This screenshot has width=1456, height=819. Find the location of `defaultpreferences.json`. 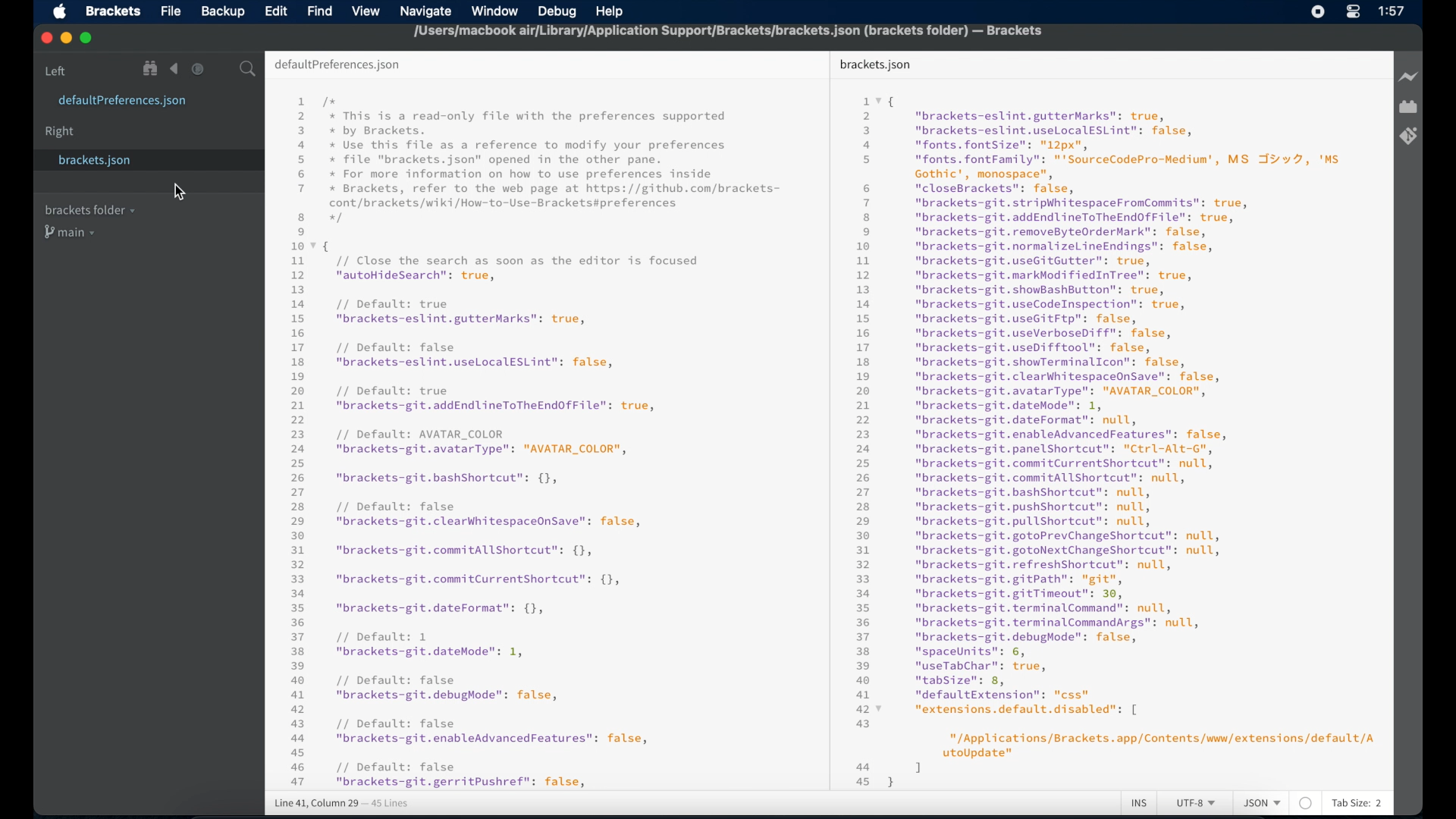

defaultpreferences.json is located at coordinates (123, 102).